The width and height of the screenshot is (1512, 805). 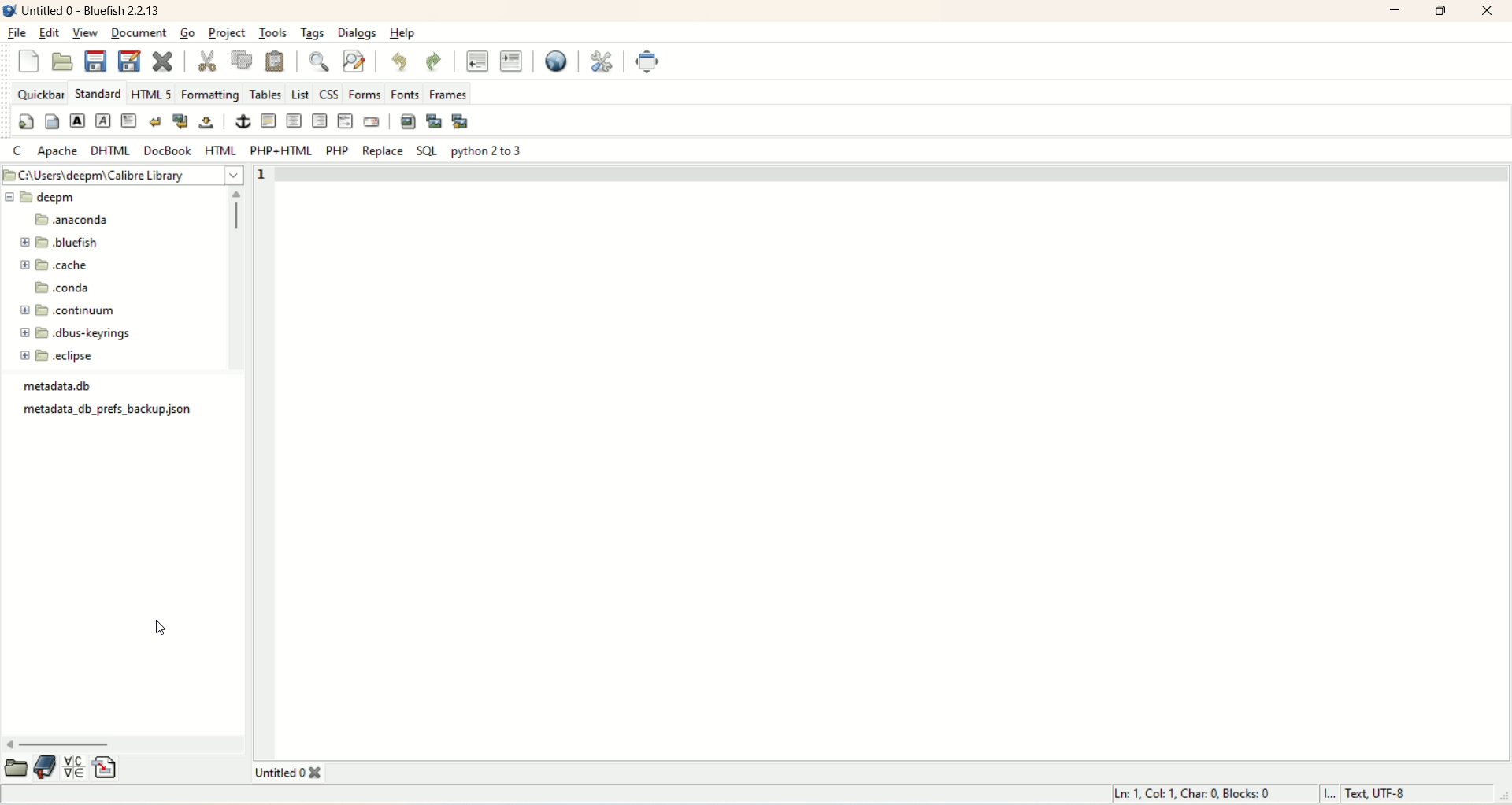 I want to click on logo, so click(x=9, y=9).